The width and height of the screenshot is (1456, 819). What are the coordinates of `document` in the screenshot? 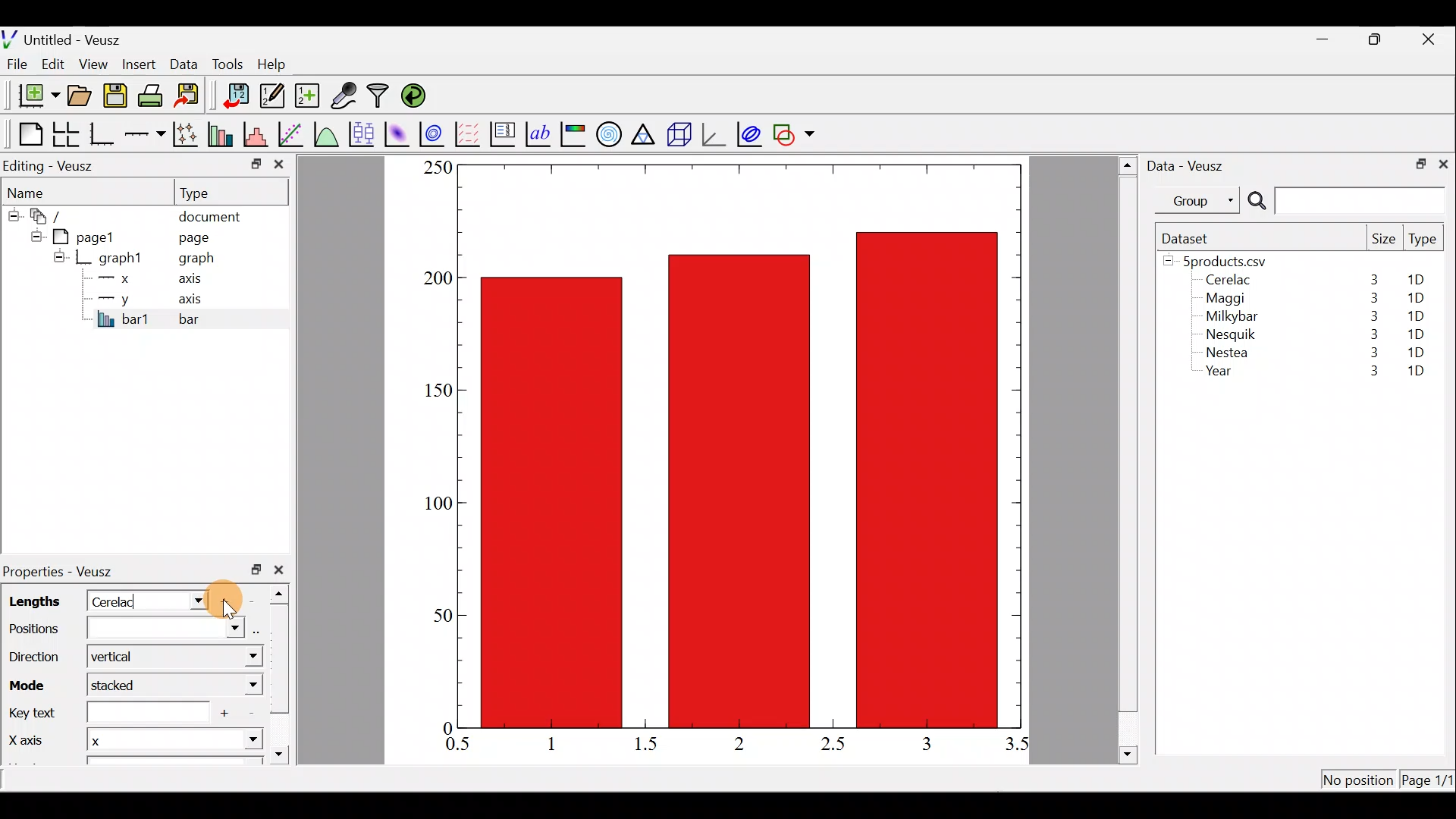 It's located at (209, 214).